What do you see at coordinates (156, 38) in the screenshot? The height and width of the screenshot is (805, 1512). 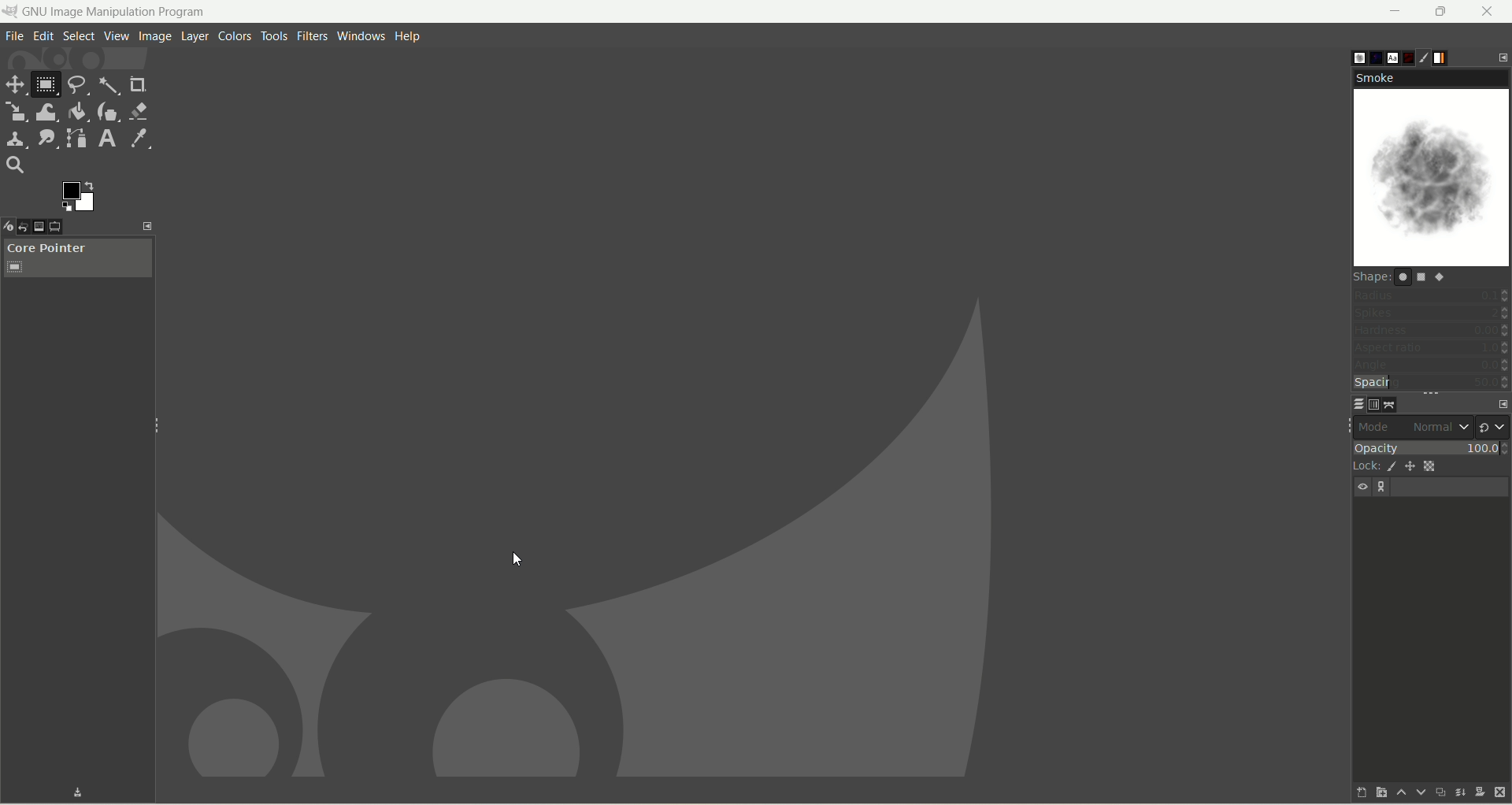 I see `image` at bounding box center [156, 38].